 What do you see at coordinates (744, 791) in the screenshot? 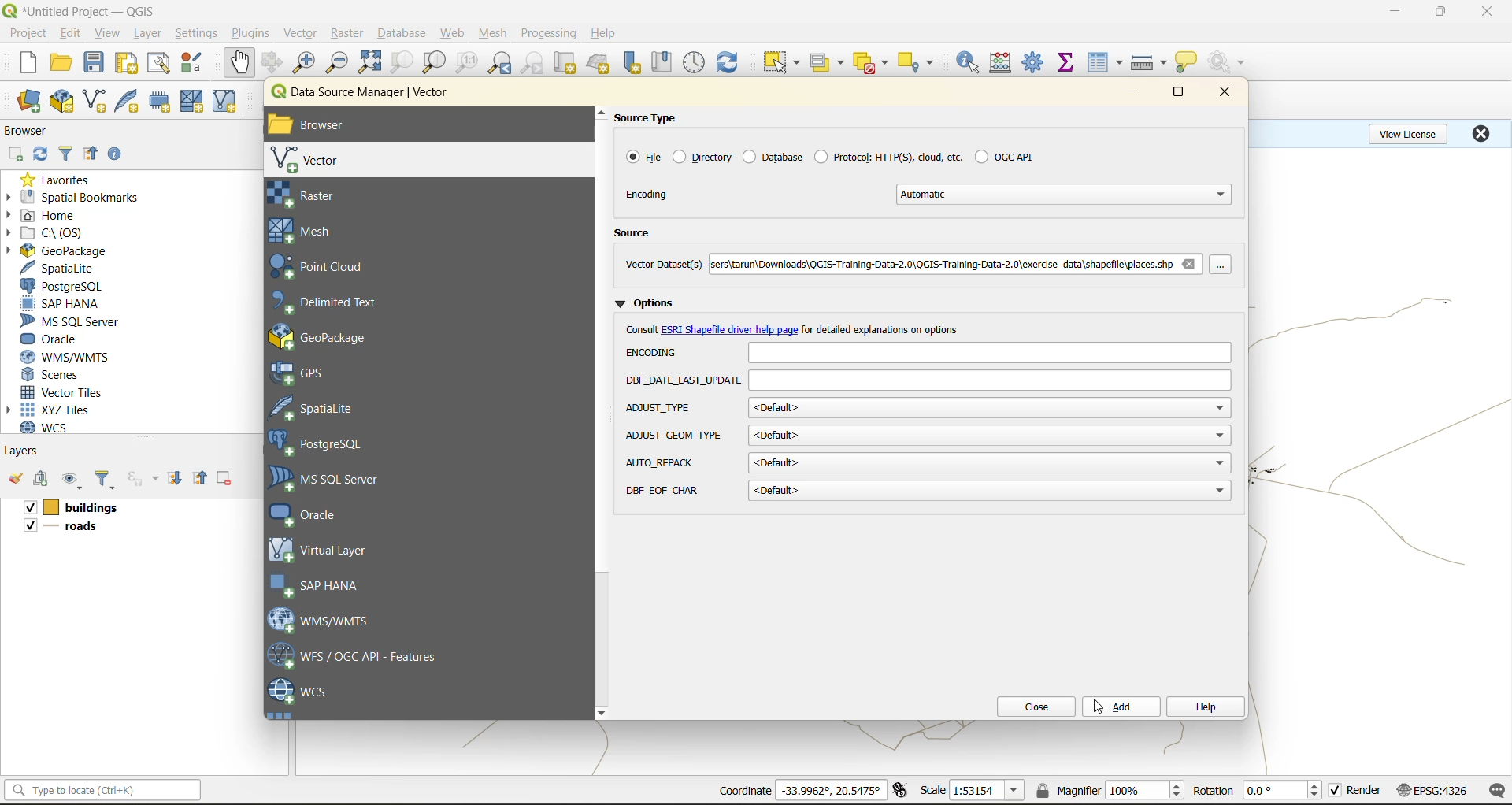
I see `coordinates` at bounding box center [744, 791].